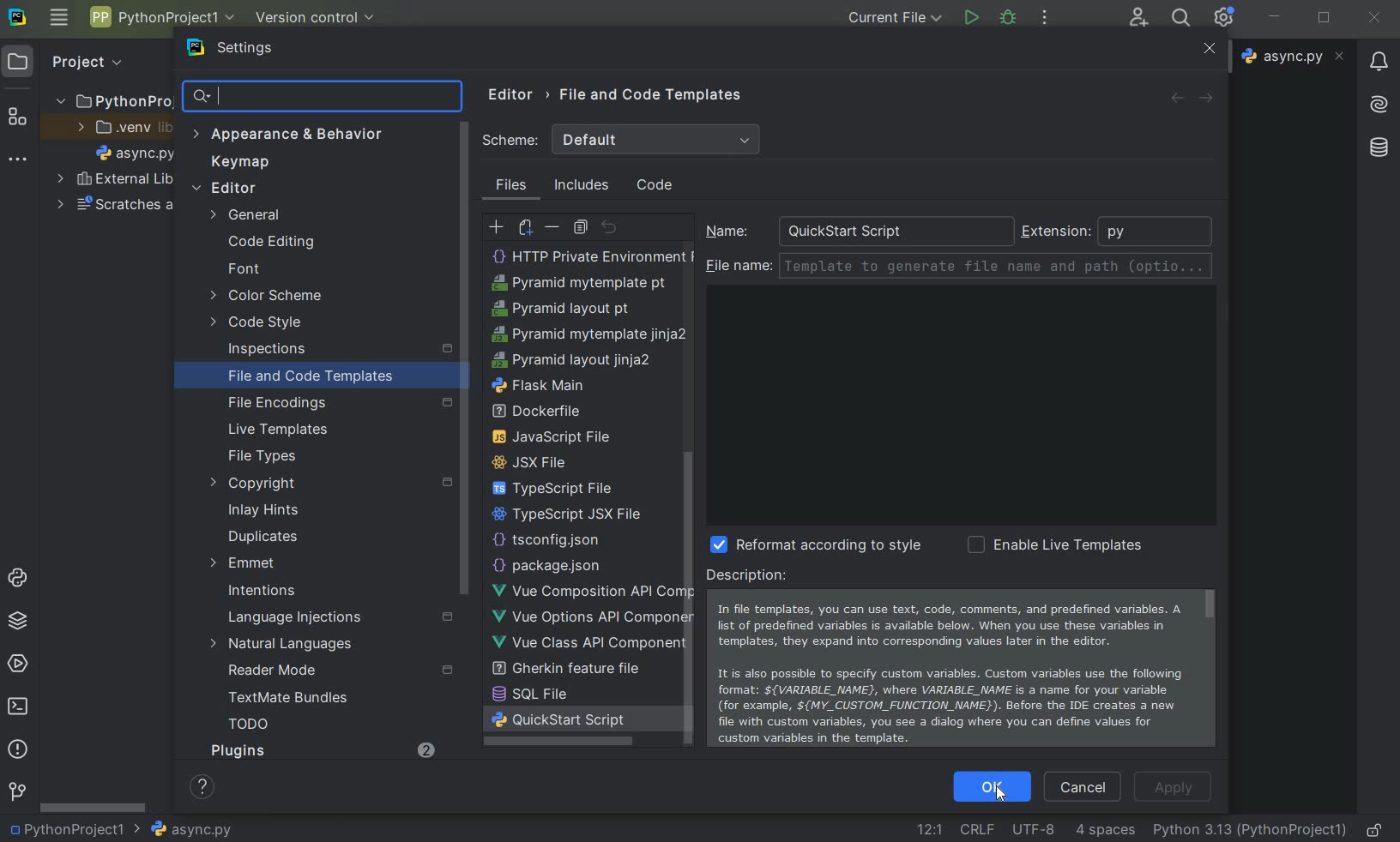  What do you see at coordinates (927, 828) in the screenshot?
I see `go to line` at bounding box center [927, 828].